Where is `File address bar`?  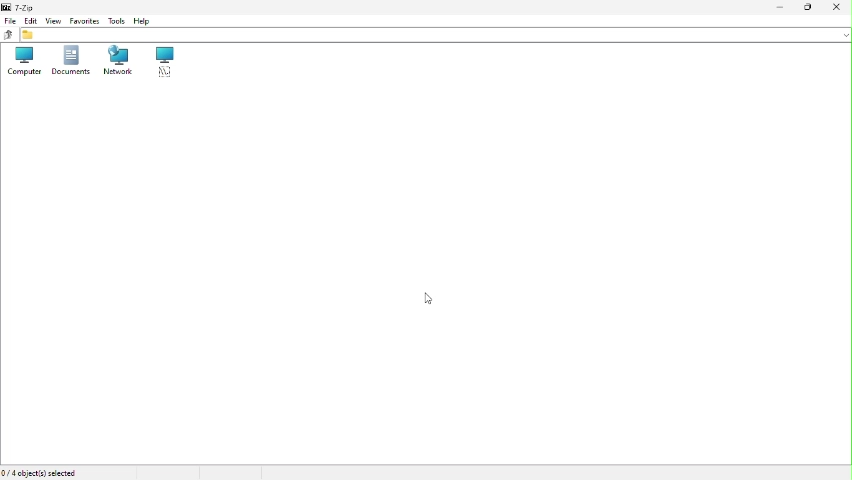
File address bar is located at coordinates (436, 35).